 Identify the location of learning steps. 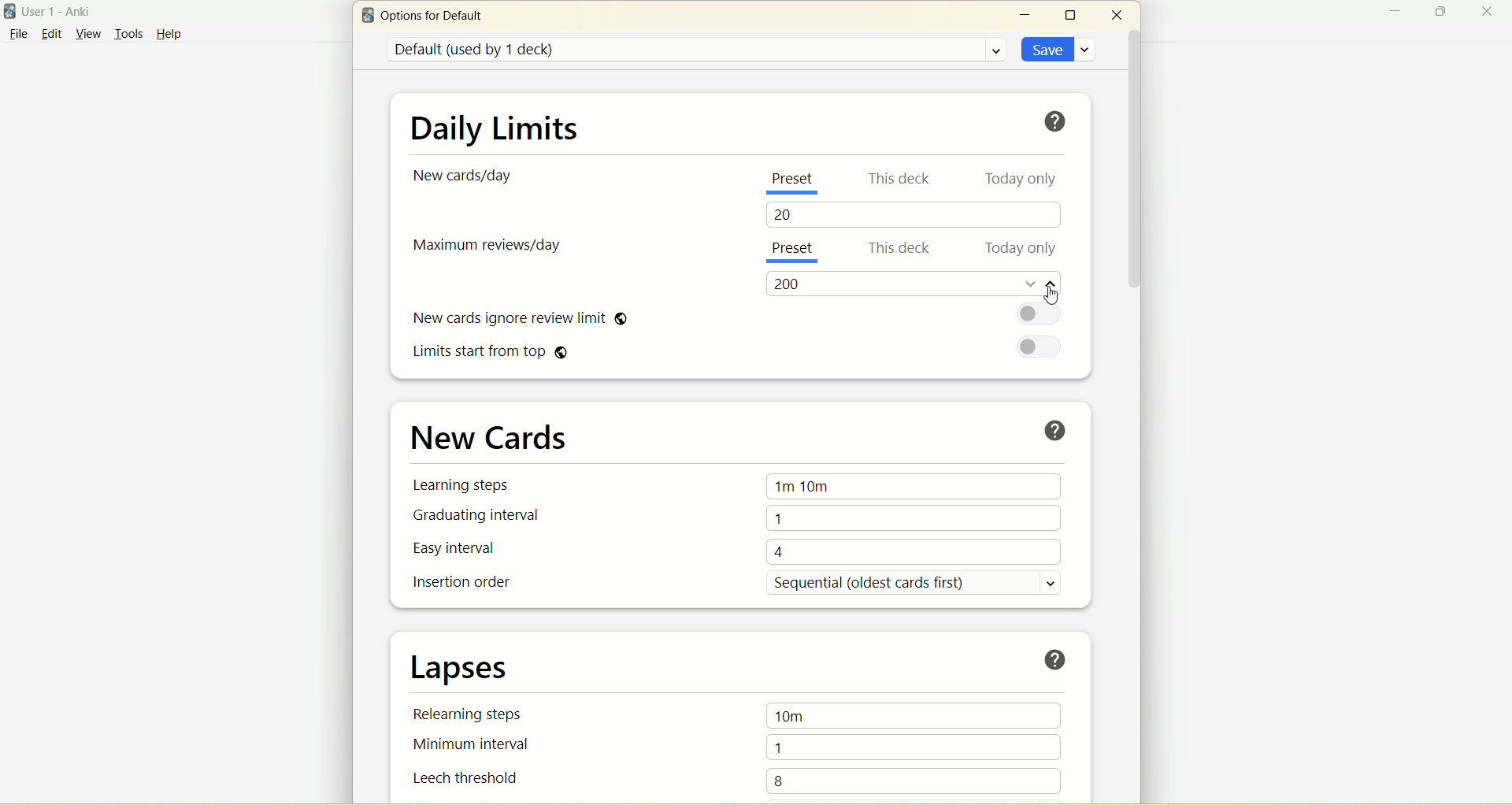
(465, 487).